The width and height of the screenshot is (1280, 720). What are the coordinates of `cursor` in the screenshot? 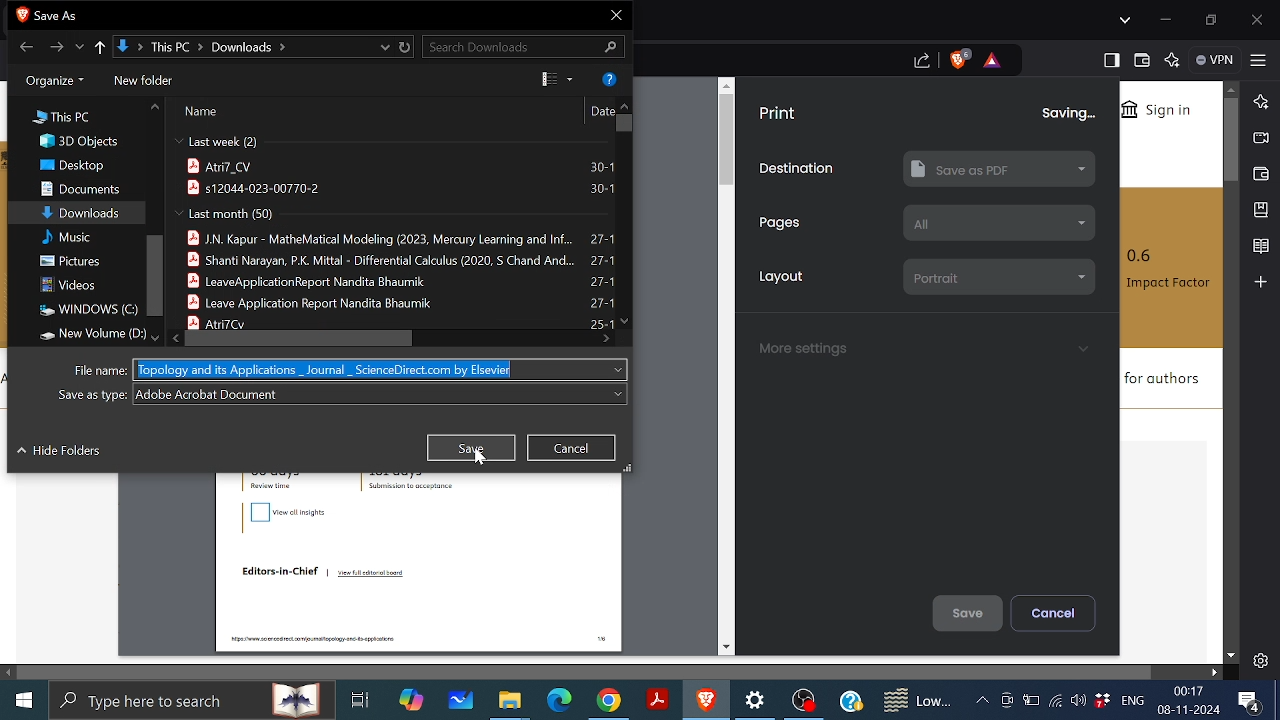 It's located at (482, 461).